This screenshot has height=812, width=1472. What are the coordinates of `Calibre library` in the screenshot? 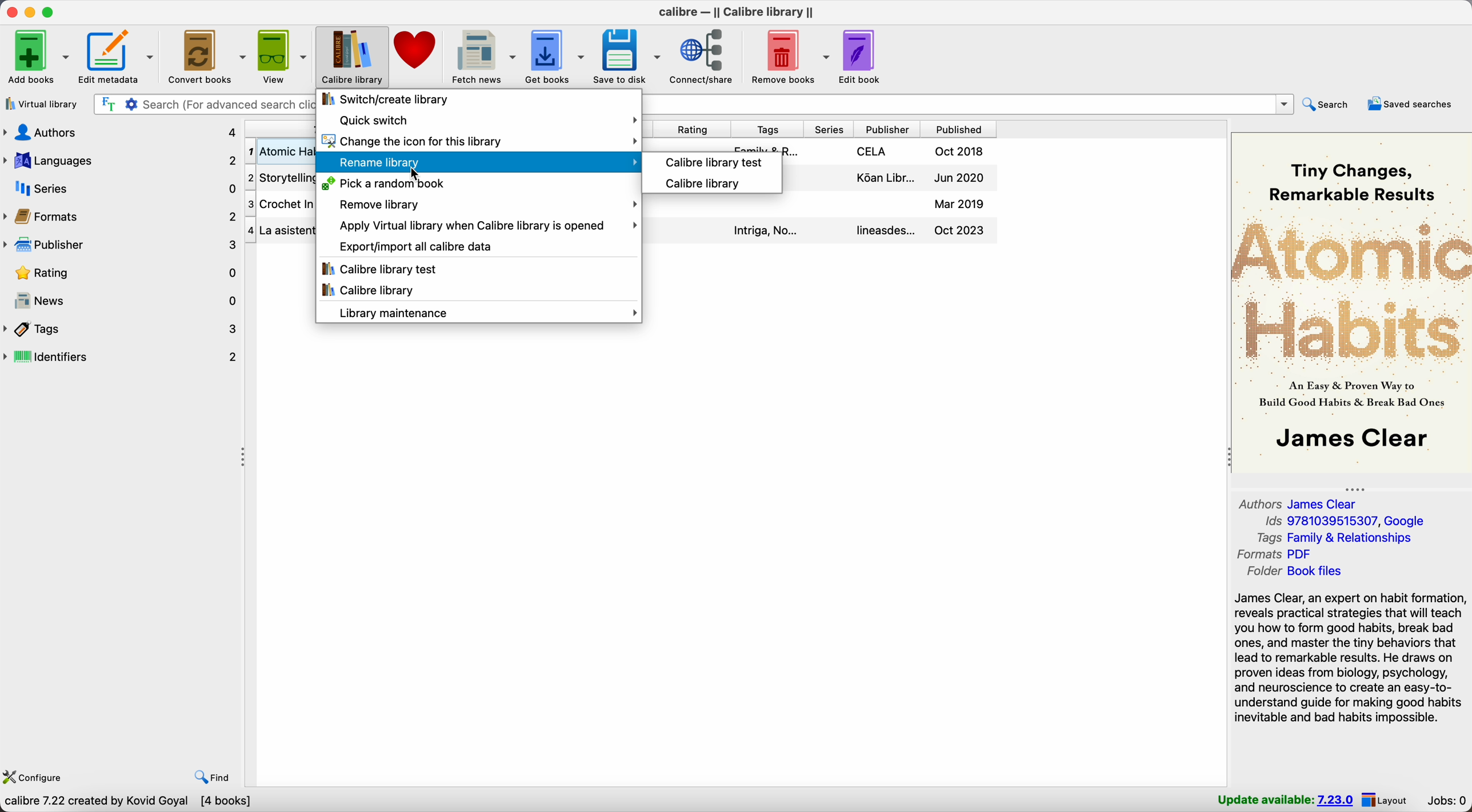 It's located at (353, 57).